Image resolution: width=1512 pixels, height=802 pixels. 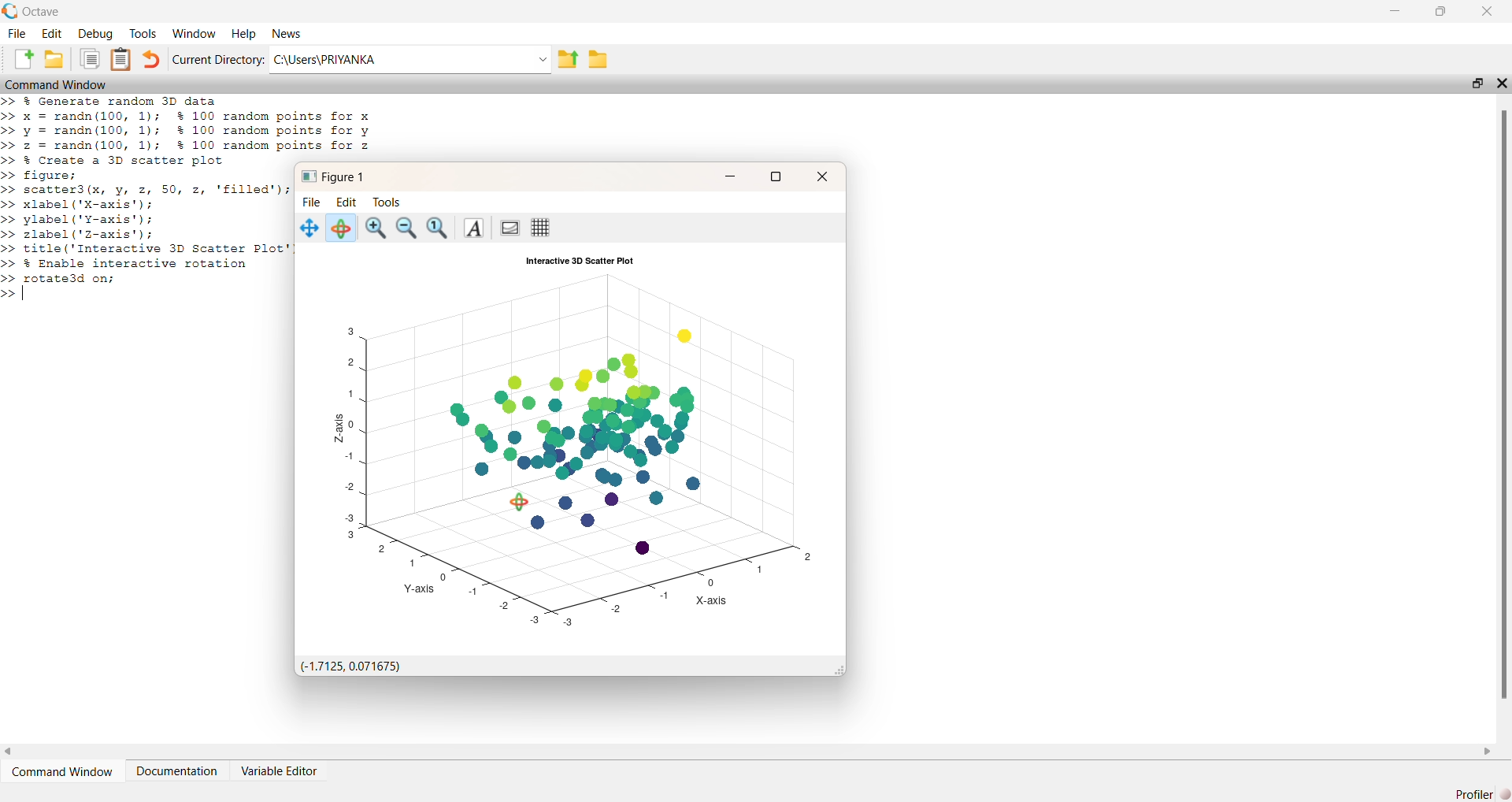 What do you see at coordinates (1488, 11) in the screenshot?
I see `close` at bounding box center [1488, 11].